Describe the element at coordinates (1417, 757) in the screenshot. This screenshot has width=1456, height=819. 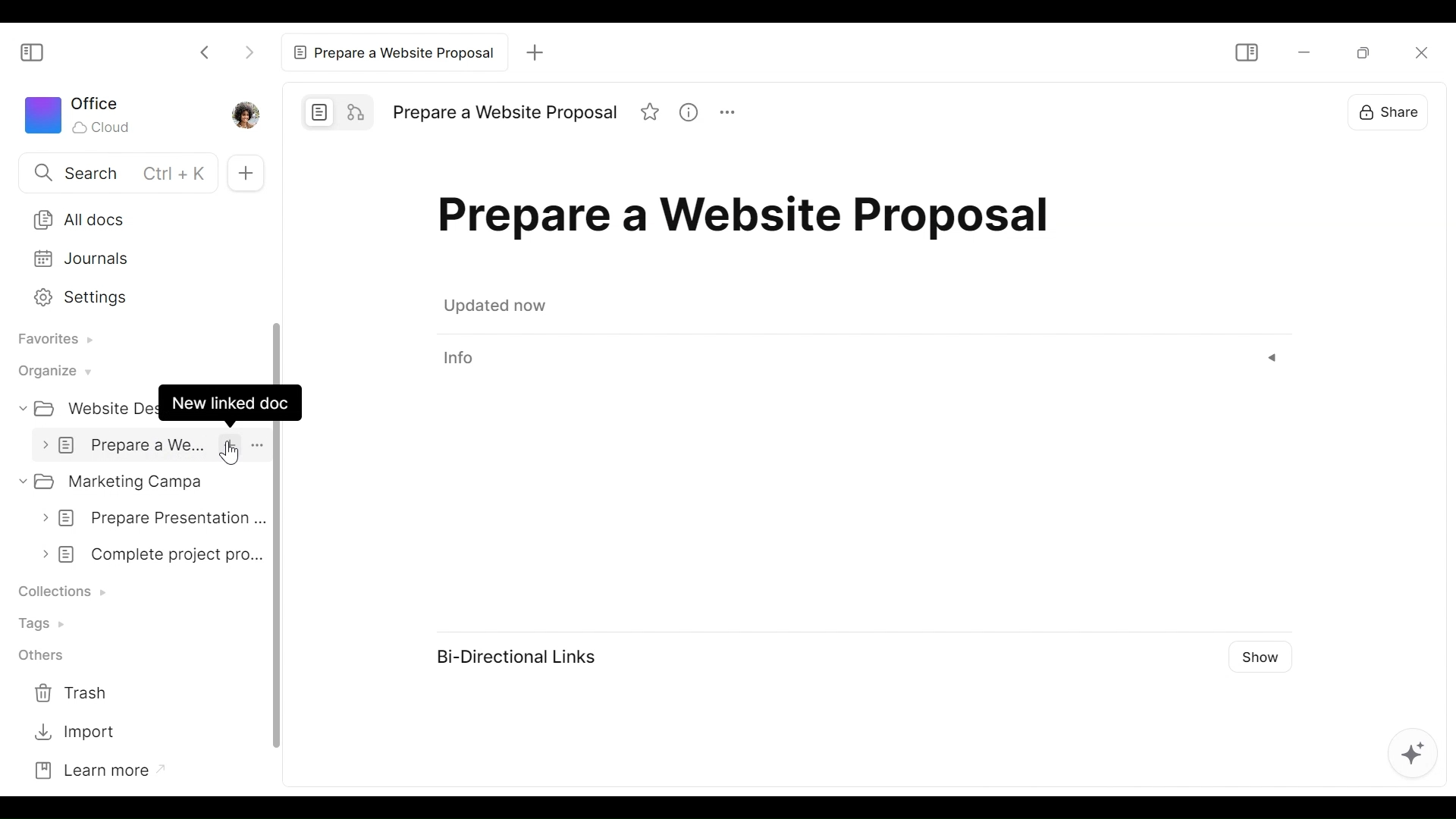
I see `AFFiNE AI` at that location.